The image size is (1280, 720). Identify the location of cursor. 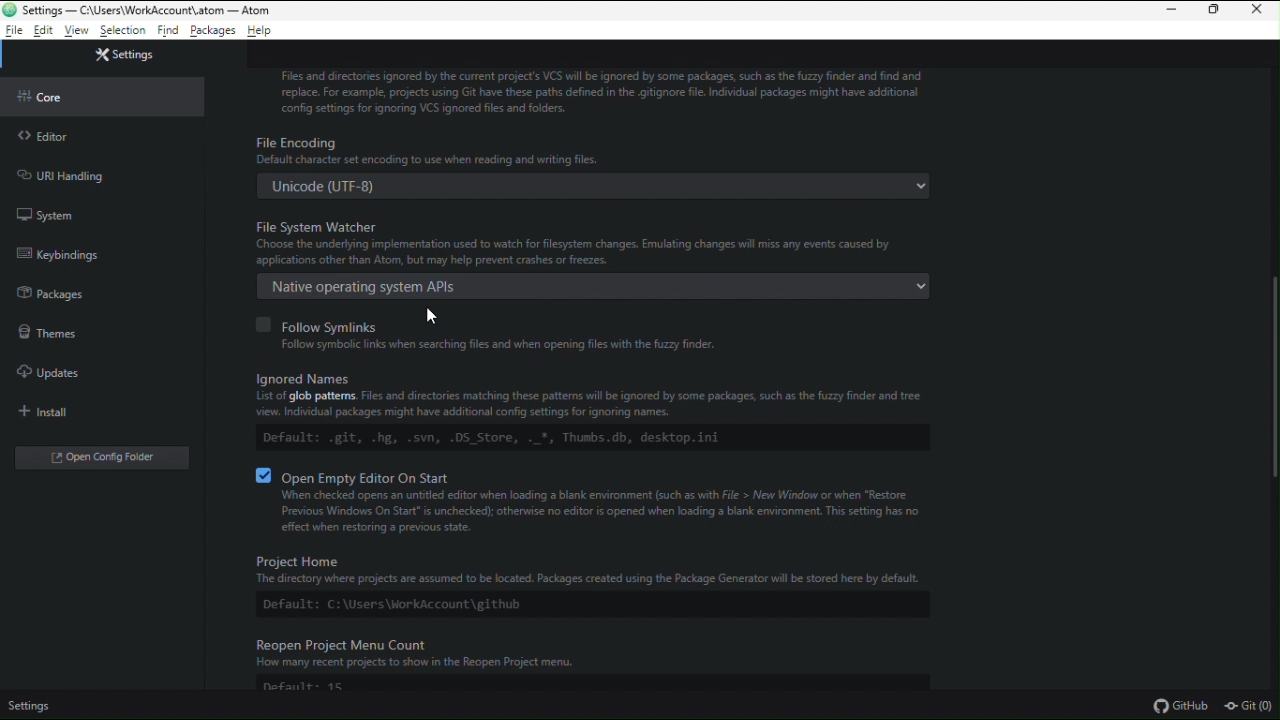
(436, 316).